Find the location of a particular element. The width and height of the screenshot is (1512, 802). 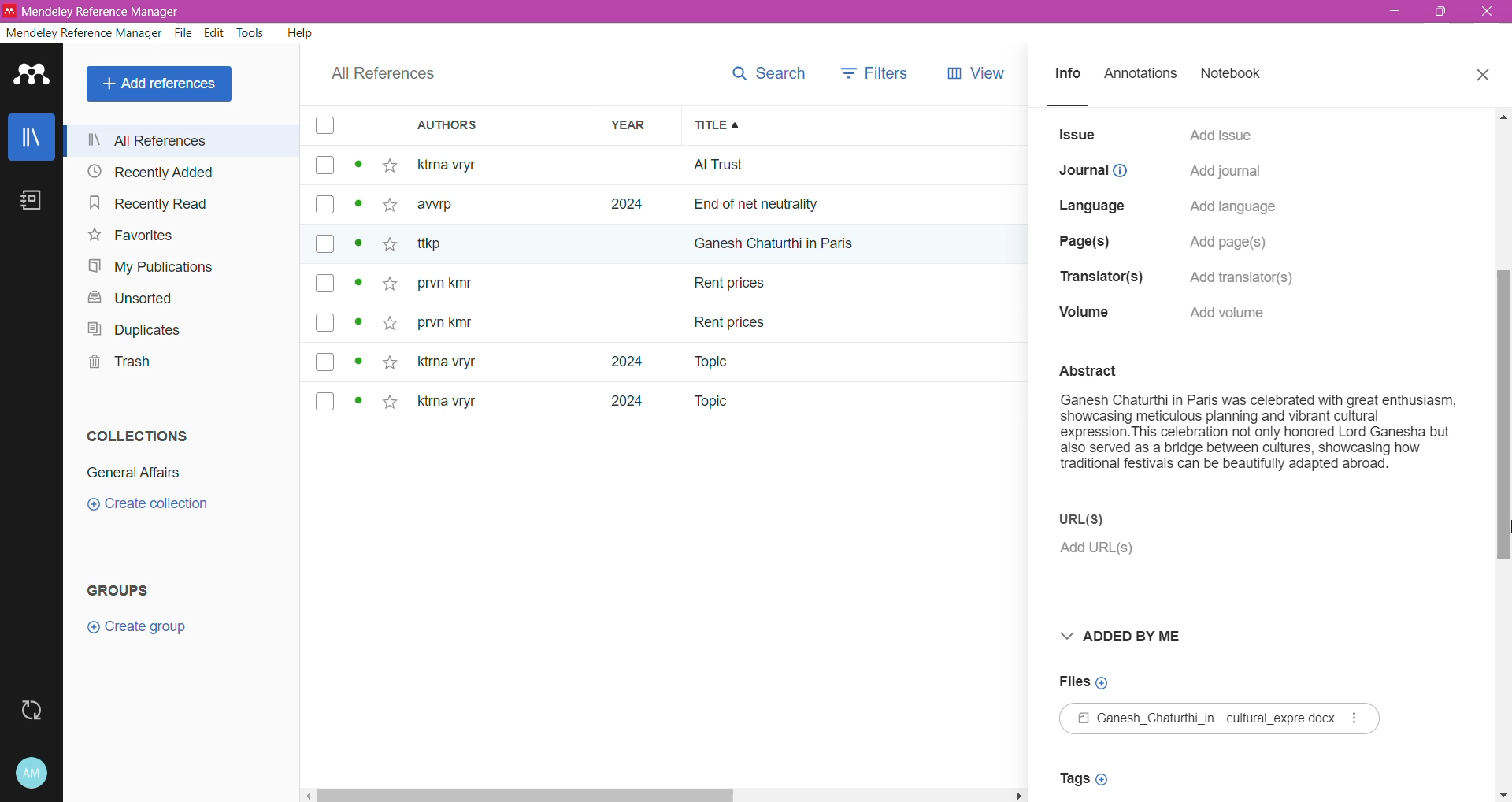

Edit is located at coordinates (215, 34).